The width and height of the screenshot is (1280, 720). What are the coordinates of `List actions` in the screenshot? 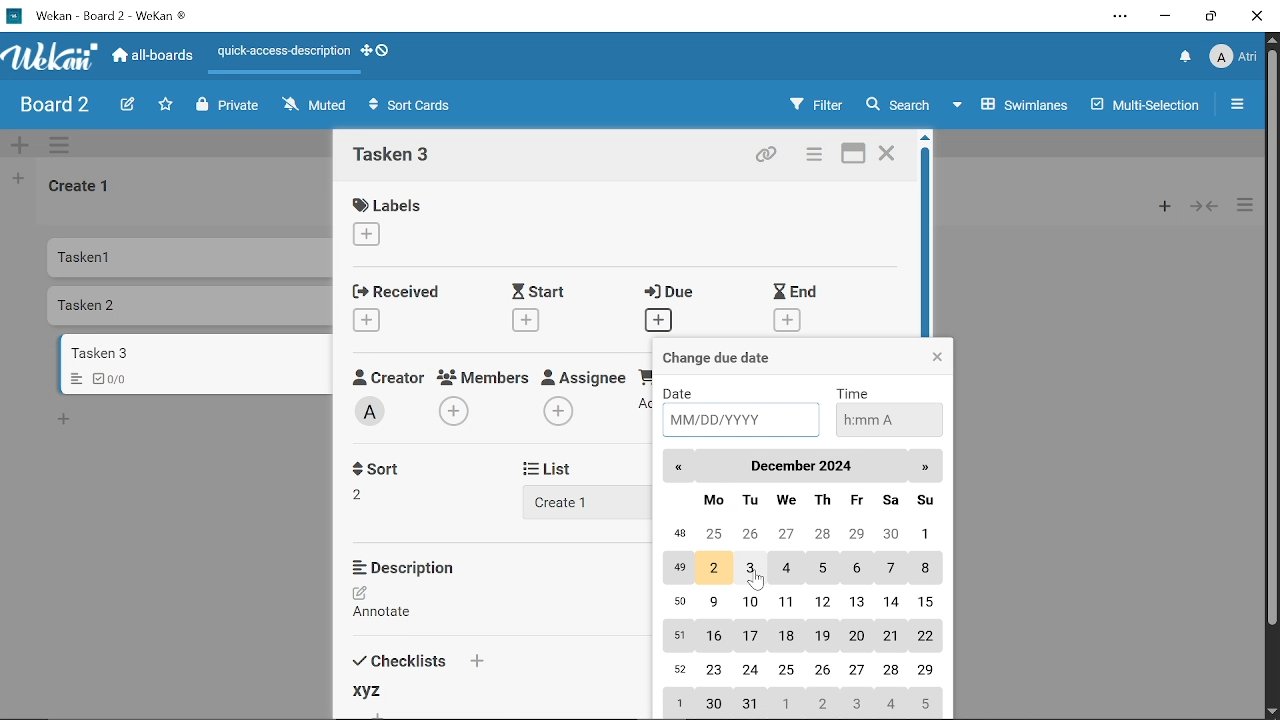 It's located at (1247, 206).